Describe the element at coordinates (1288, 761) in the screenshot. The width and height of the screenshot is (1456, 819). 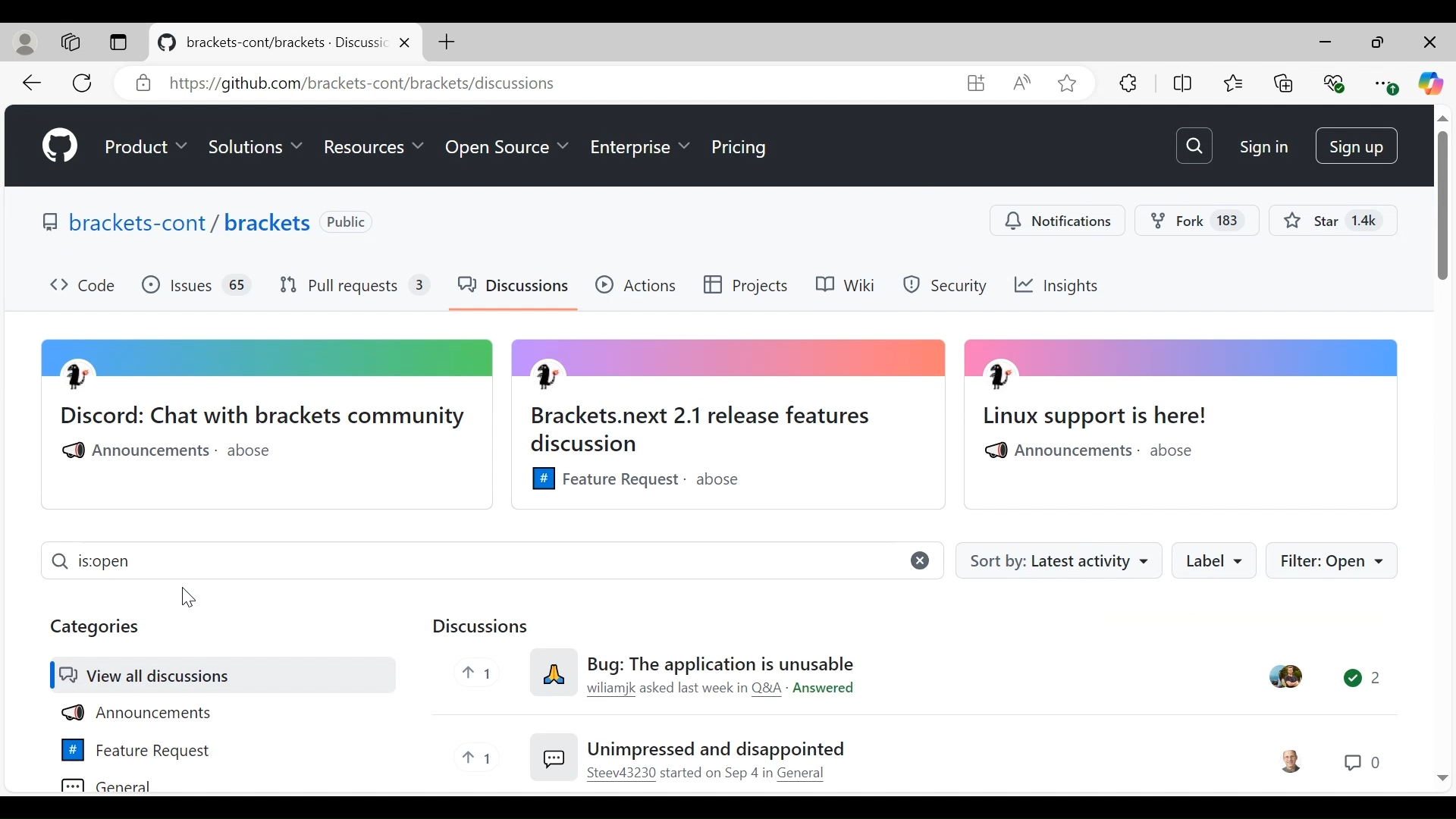
I see `User Avatar` at that location.